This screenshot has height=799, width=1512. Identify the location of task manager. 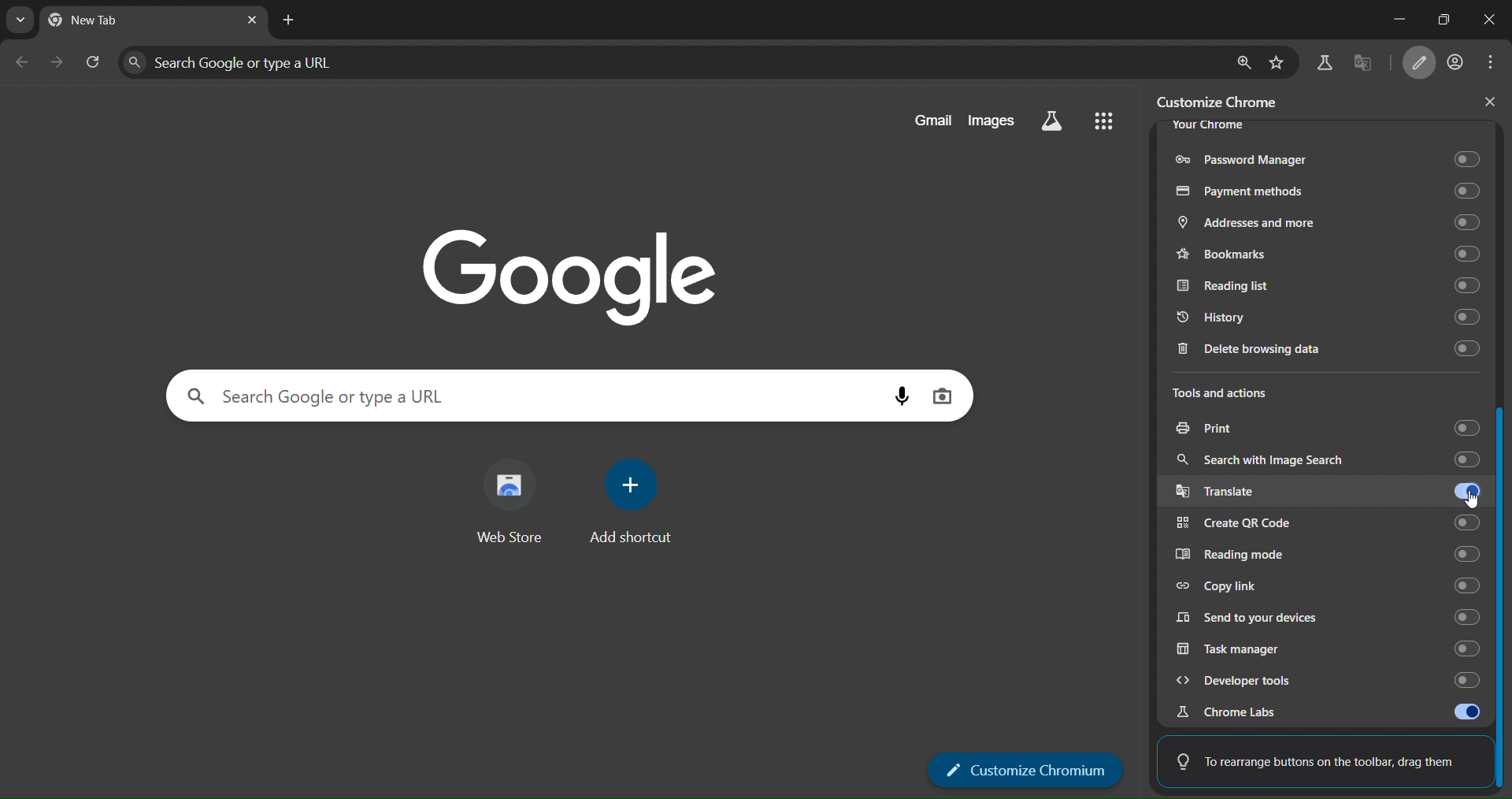
(1328, 649).